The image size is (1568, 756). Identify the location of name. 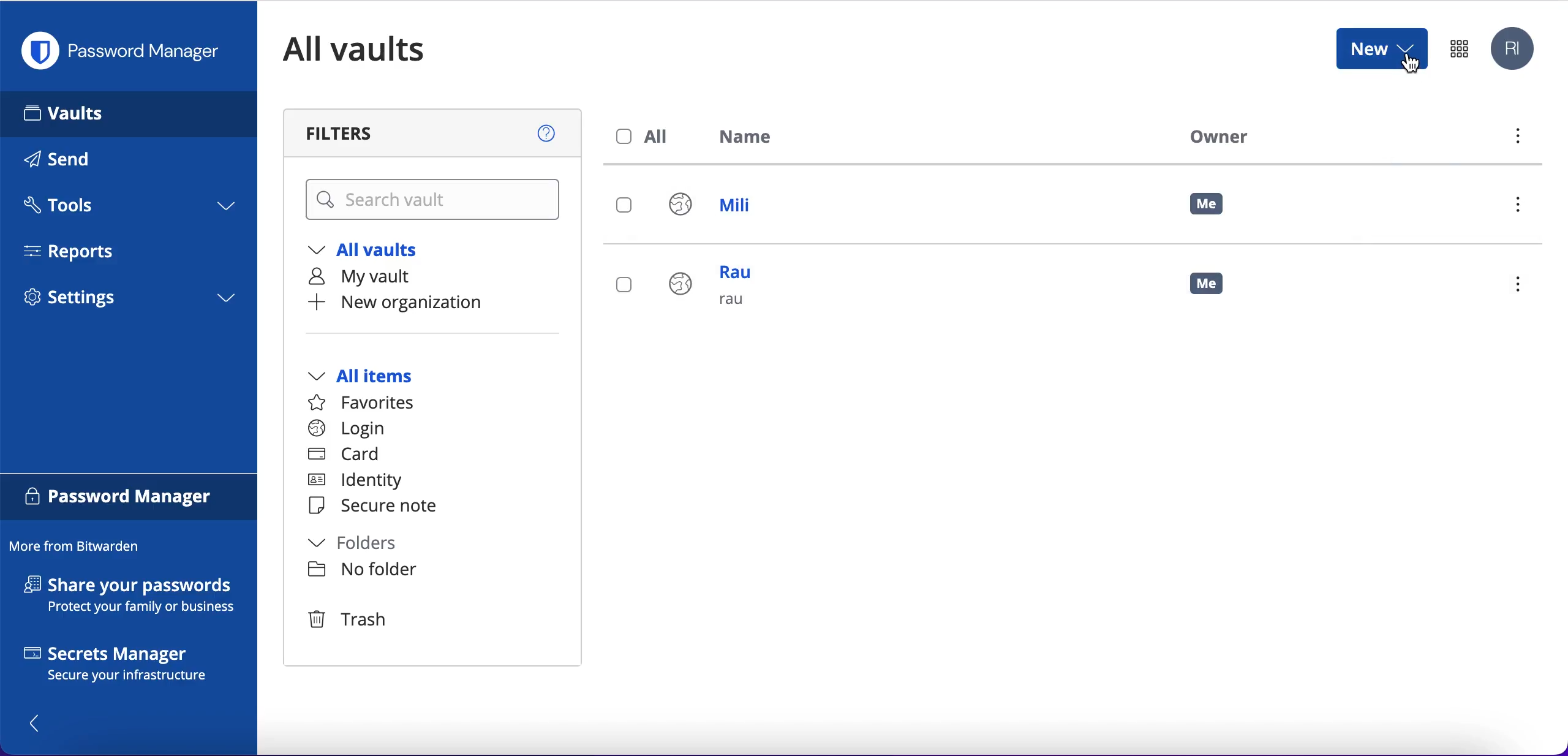
(753, 139).